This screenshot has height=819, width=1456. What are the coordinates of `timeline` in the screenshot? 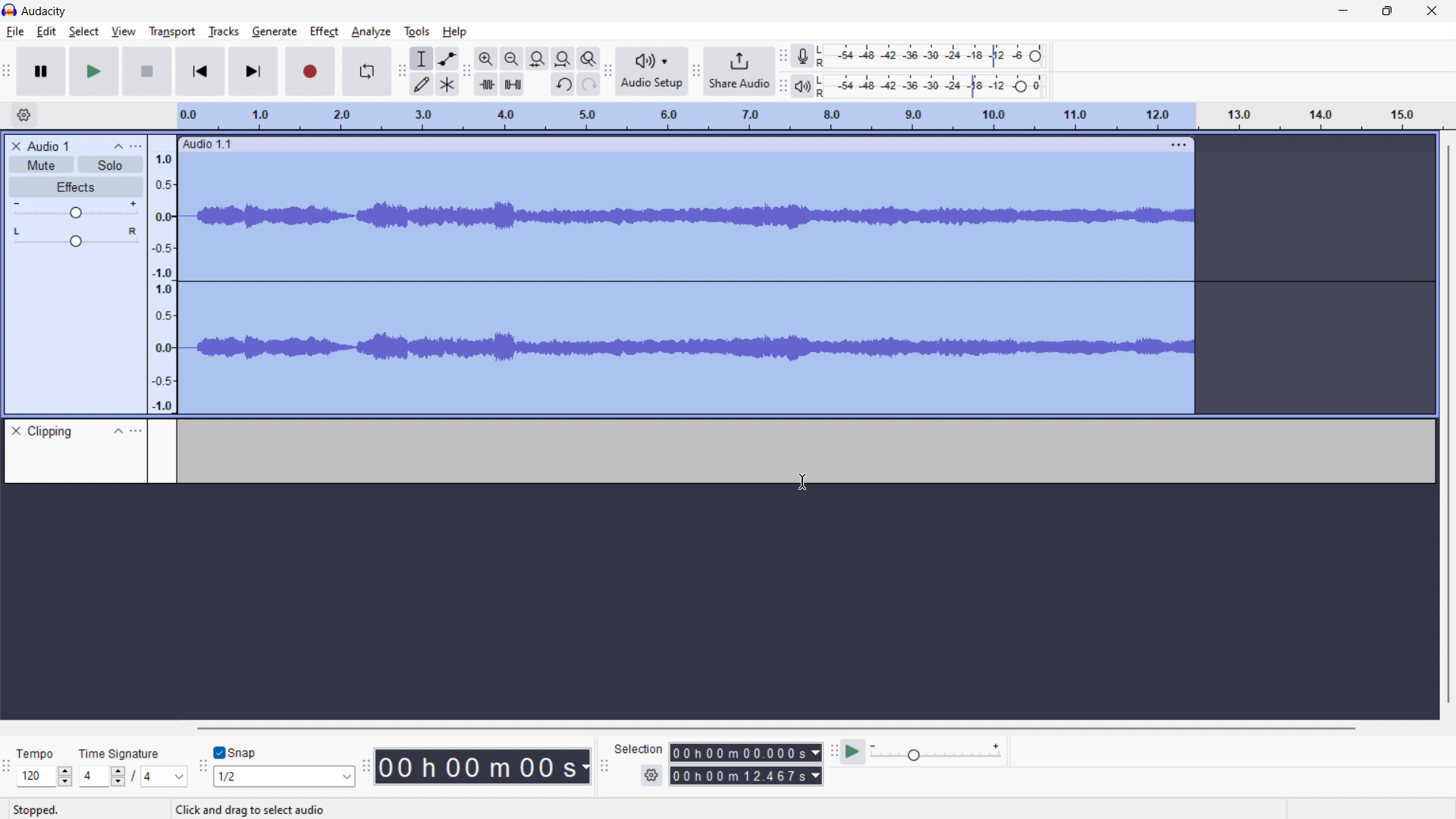 It's located at (808, 116).